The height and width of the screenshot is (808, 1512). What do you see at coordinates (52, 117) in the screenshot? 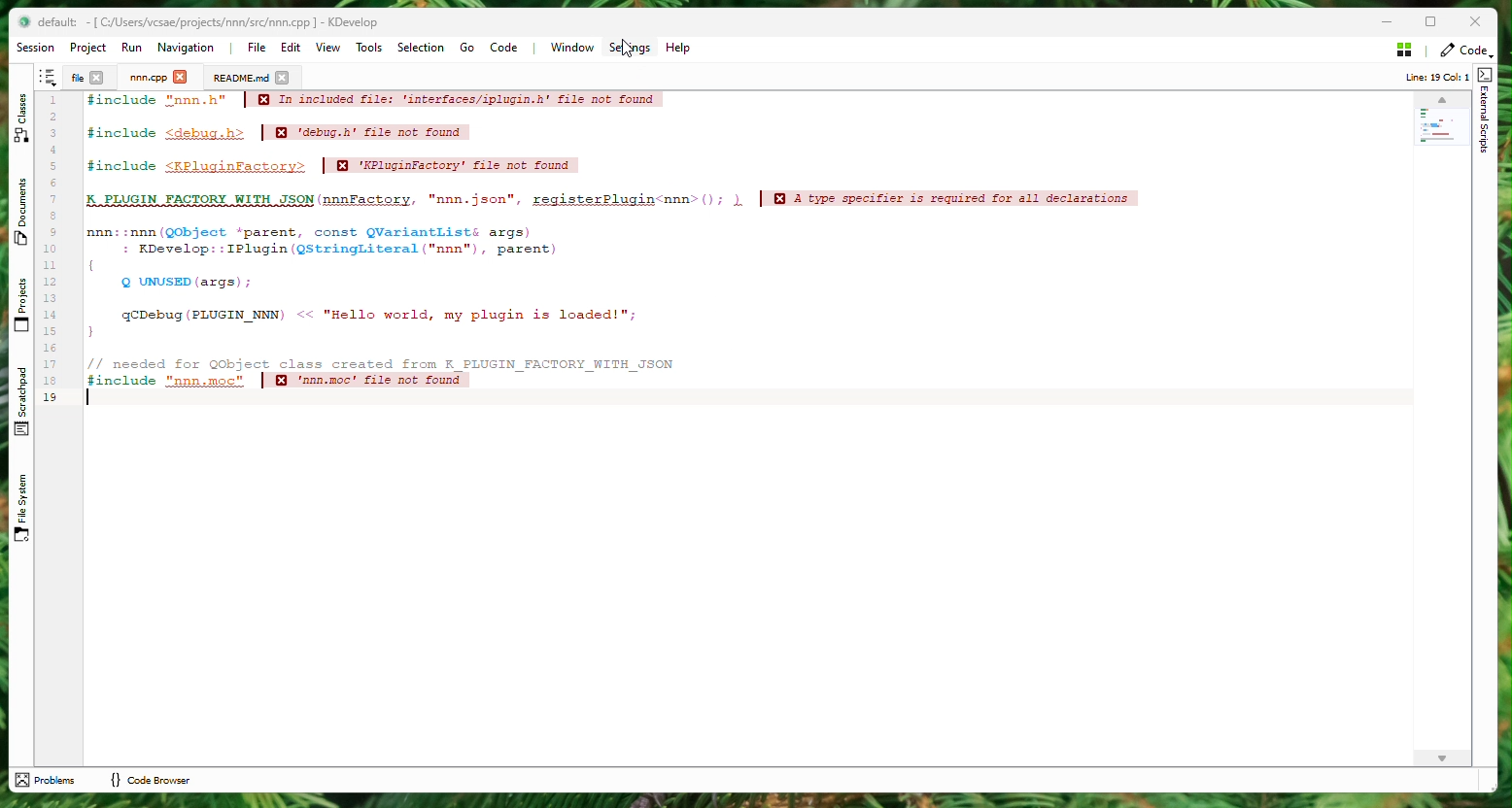
I see `2` at bounding box center [52, 117].